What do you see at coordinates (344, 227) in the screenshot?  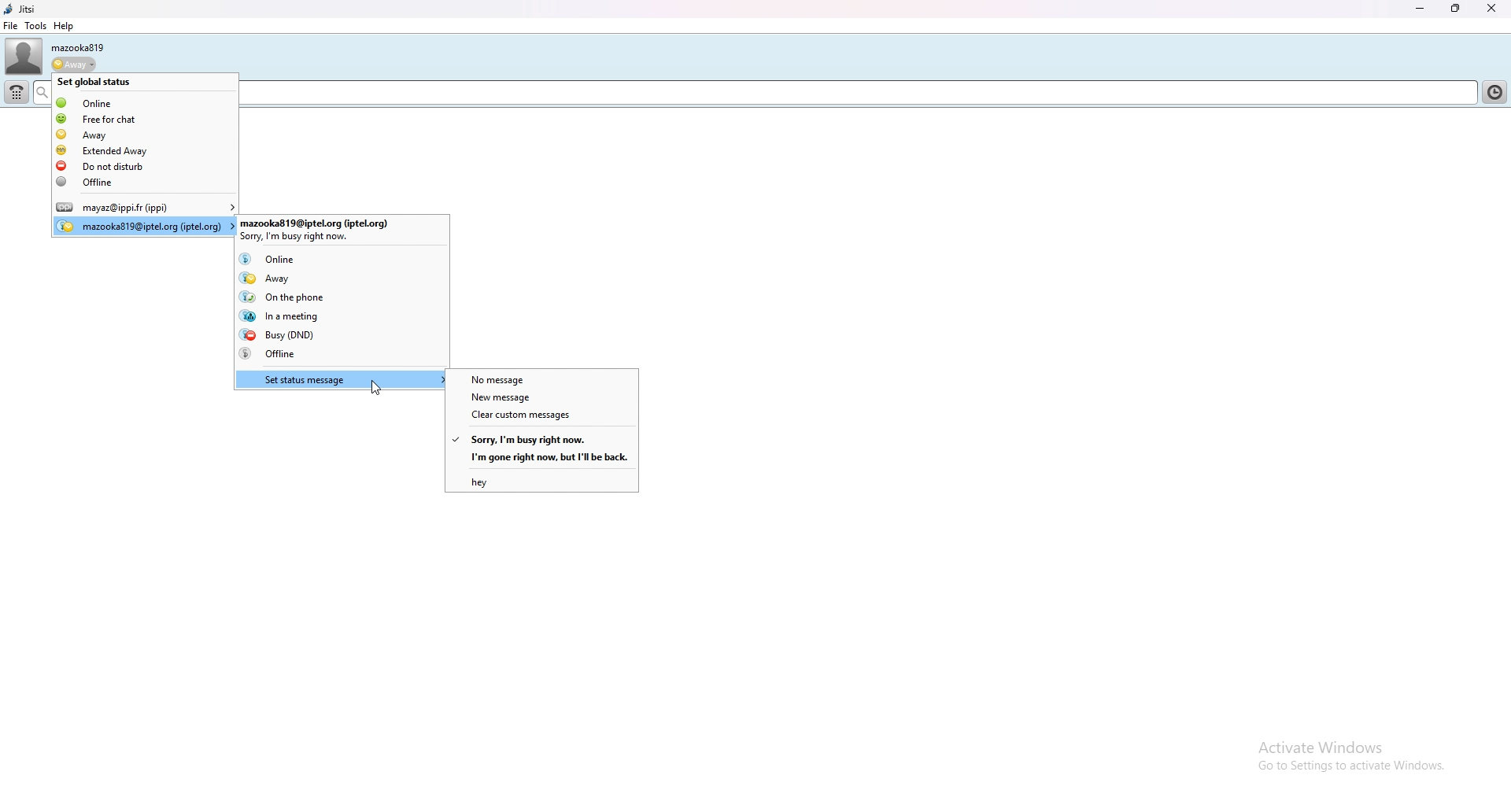 I see `user account` at bounding box center [344, 227].